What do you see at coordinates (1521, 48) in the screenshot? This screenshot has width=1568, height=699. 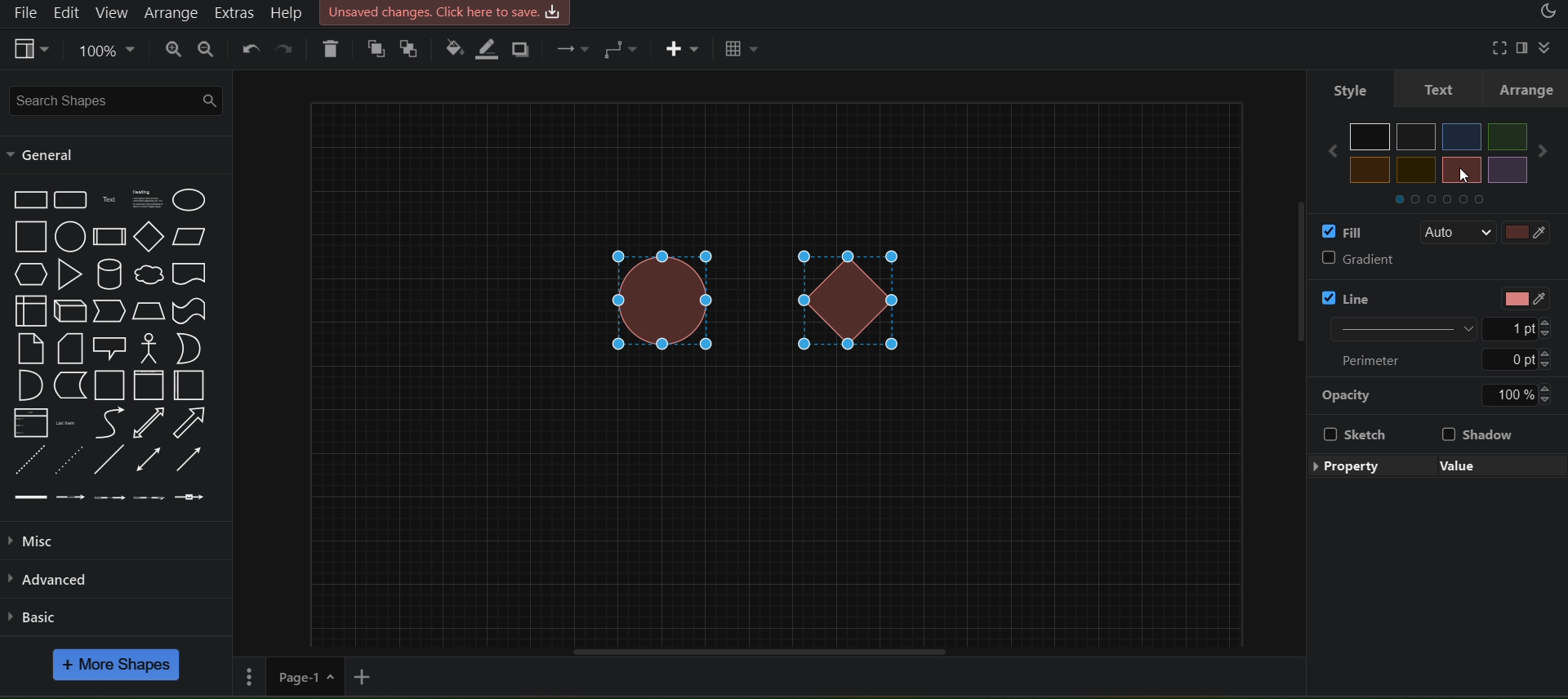 I see `format` at bounding box center [1521, 48].